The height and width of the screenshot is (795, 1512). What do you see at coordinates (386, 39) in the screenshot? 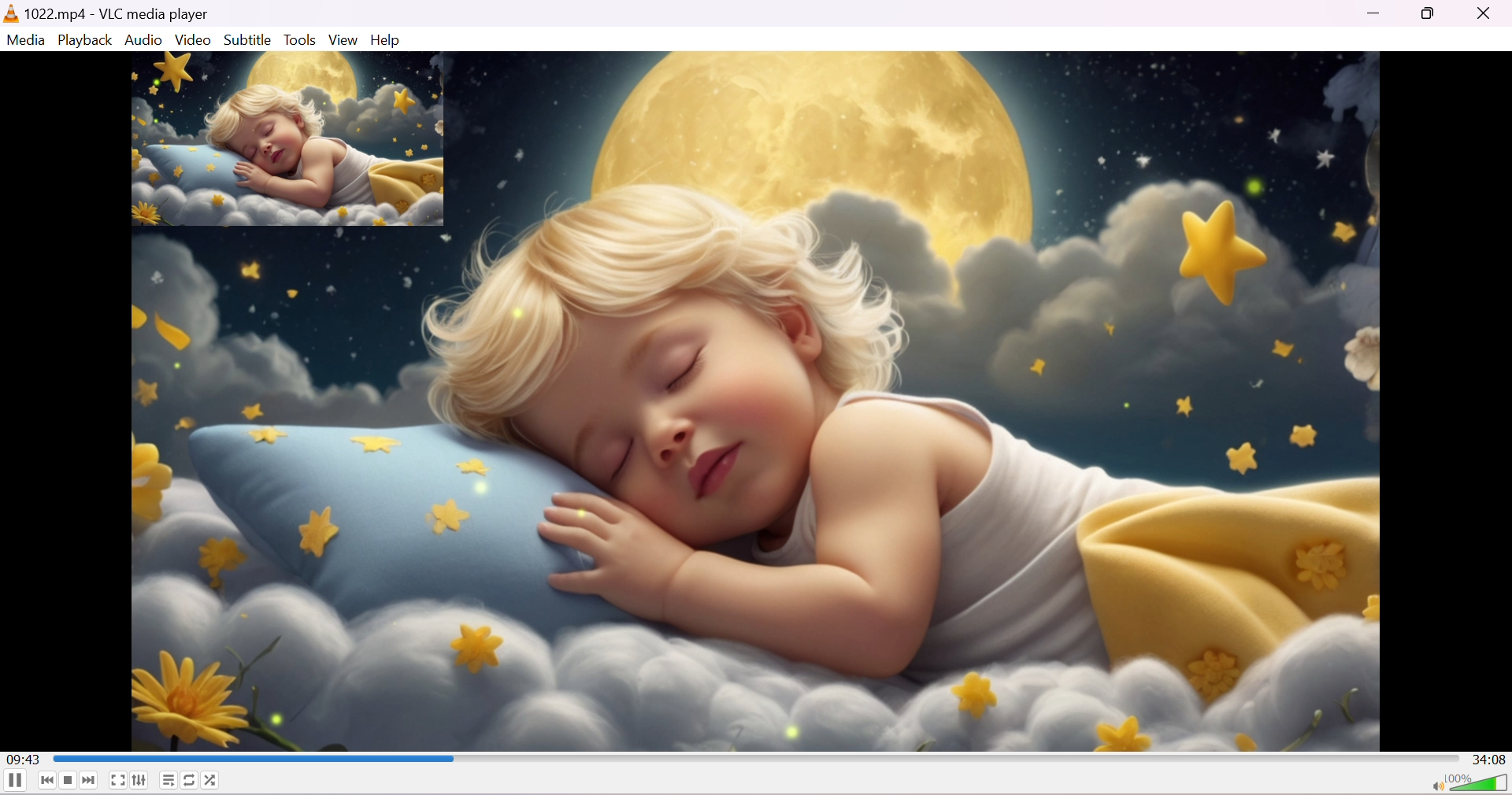
I see `Help` at bounding box center [386, 39].